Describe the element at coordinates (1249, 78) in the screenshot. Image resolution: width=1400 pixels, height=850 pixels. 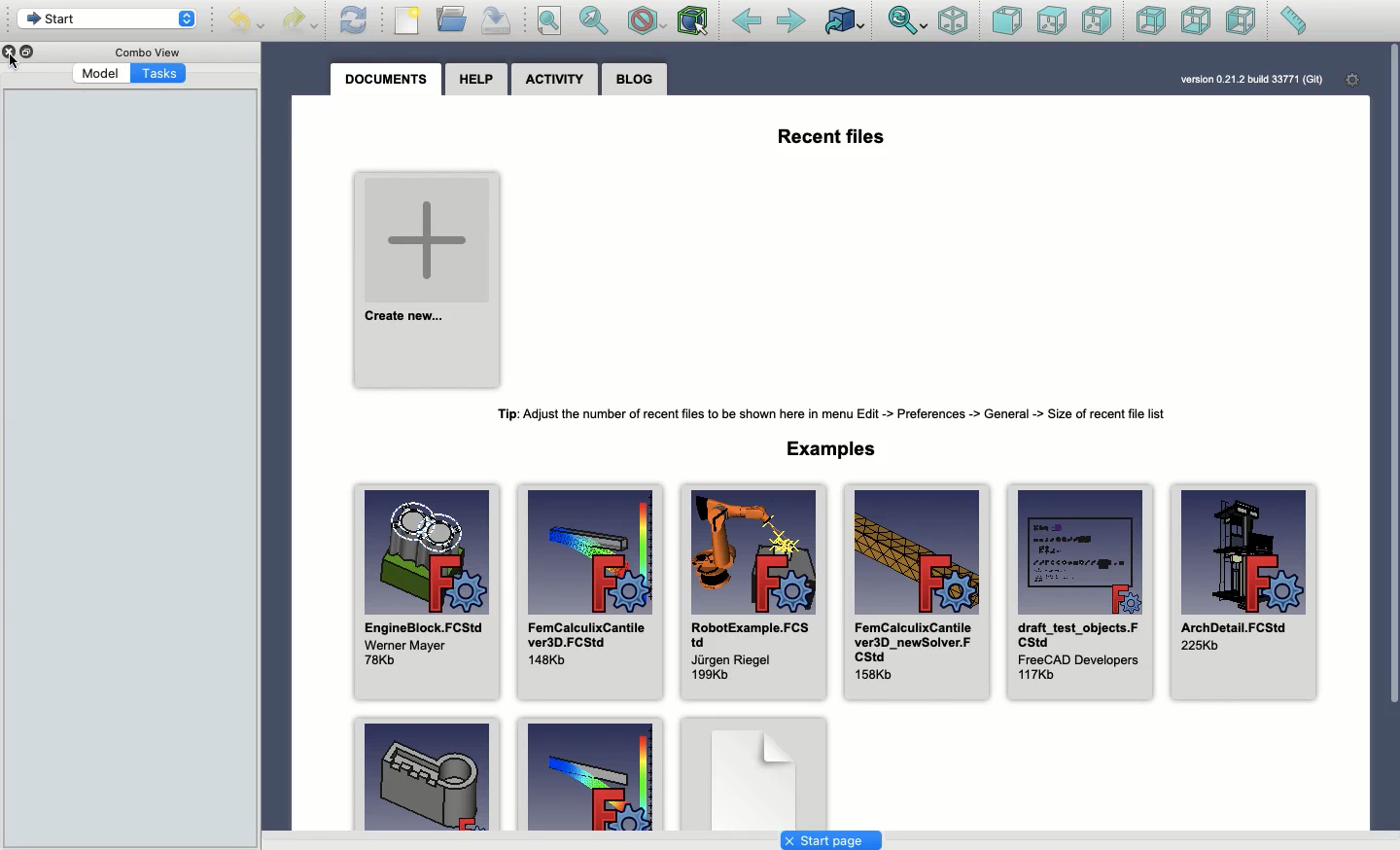
I see `version 0.21.2 build 33771 (Git)` at that location.